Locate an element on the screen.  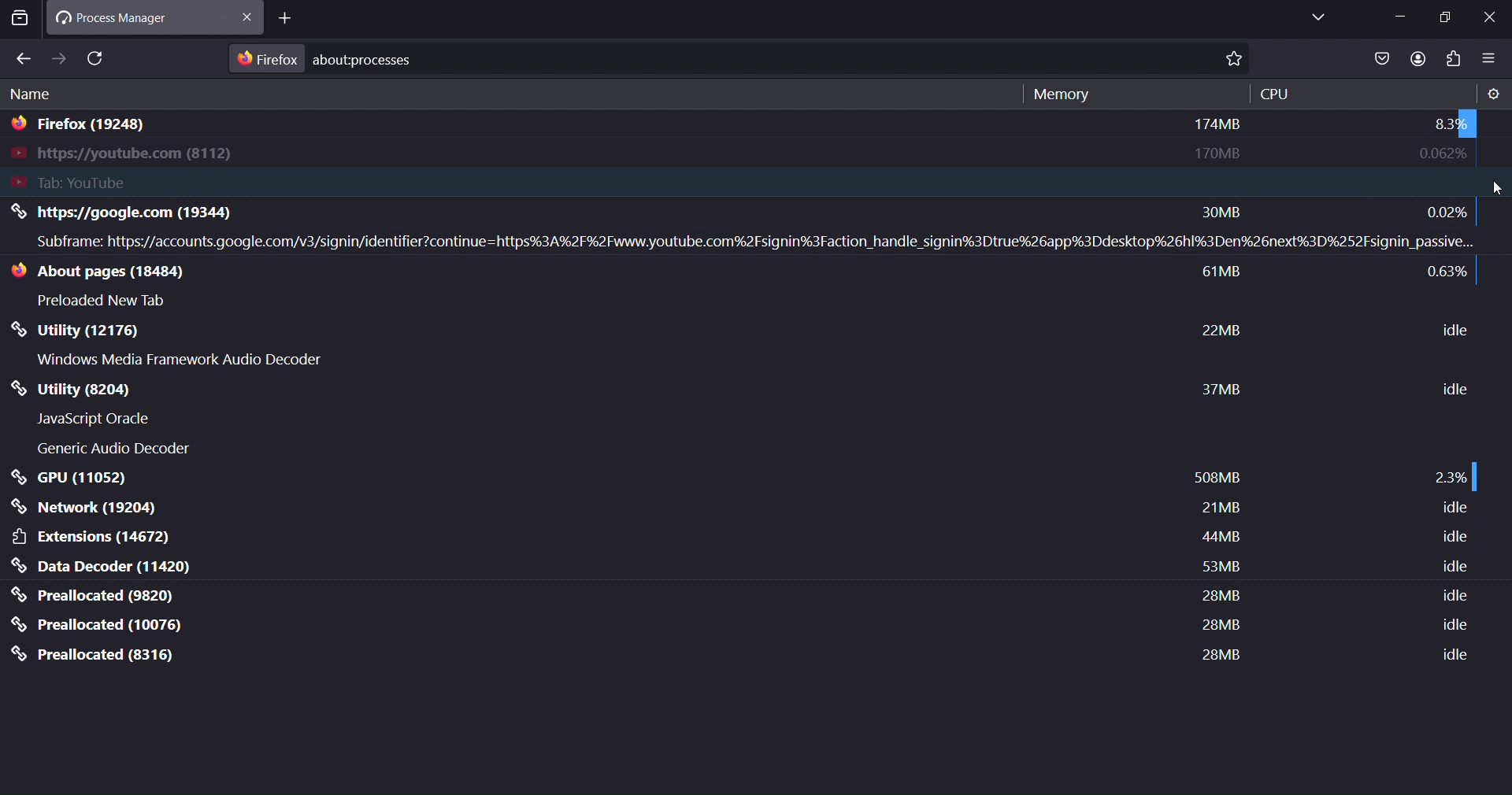
0.63% is located at coordinates (1446, 274).